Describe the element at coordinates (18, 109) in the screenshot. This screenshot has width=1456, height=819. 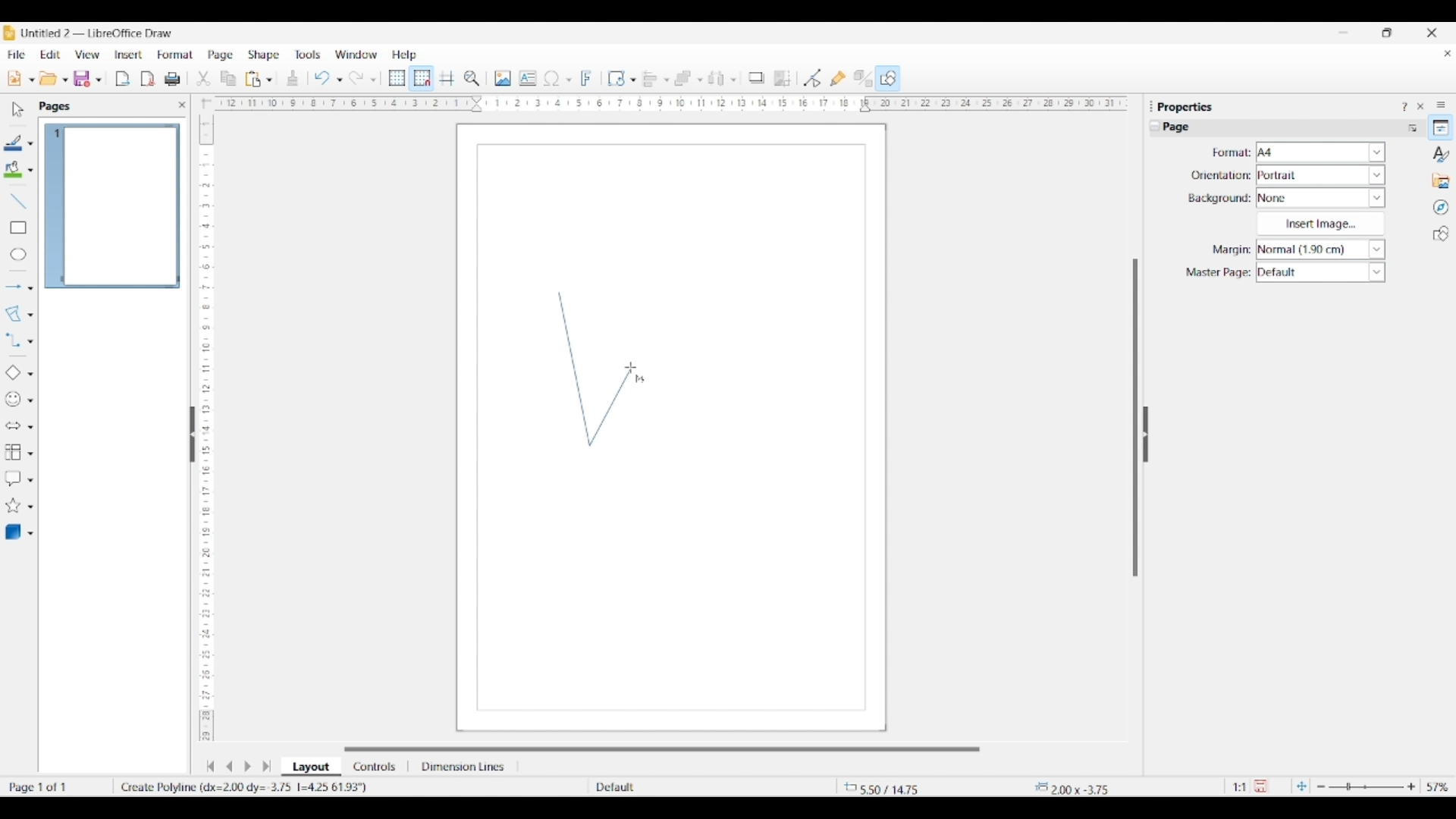
I see `Select` at that location.